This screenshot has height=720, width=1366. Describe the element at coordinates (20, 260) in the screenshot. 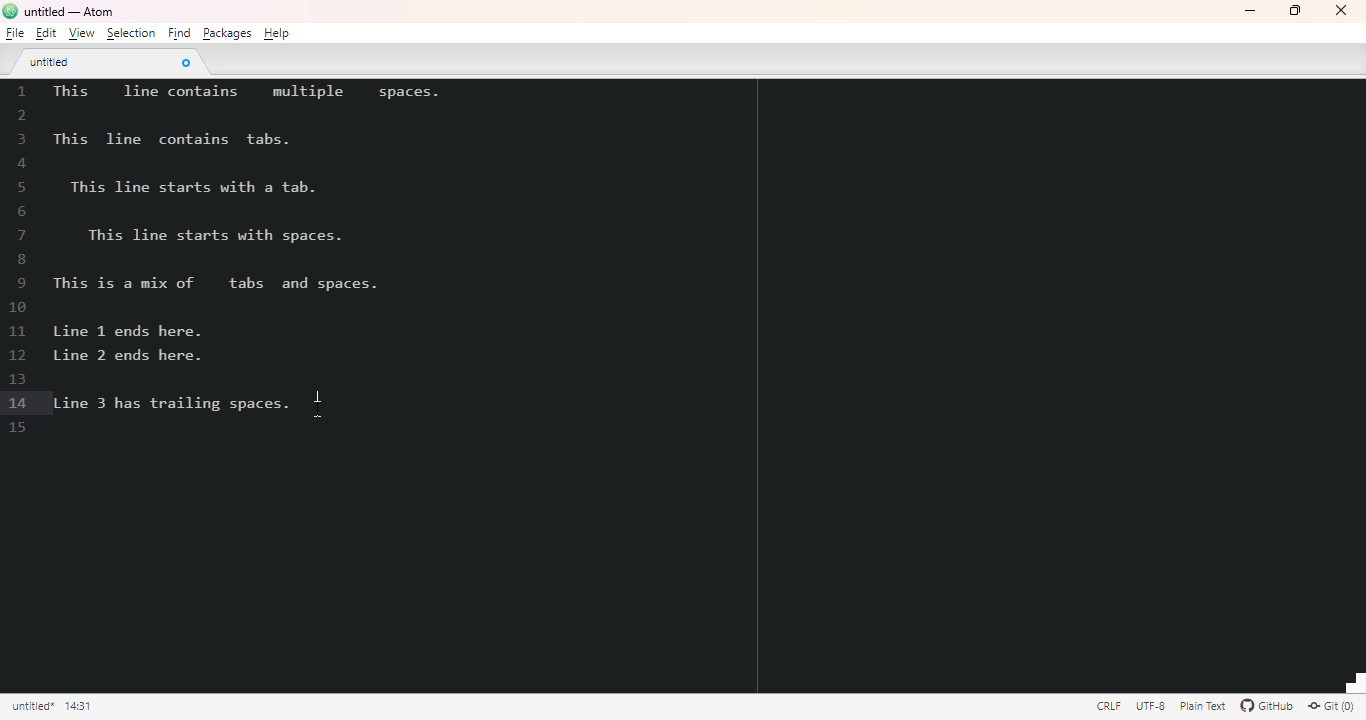

I see `line numbers` at that location.